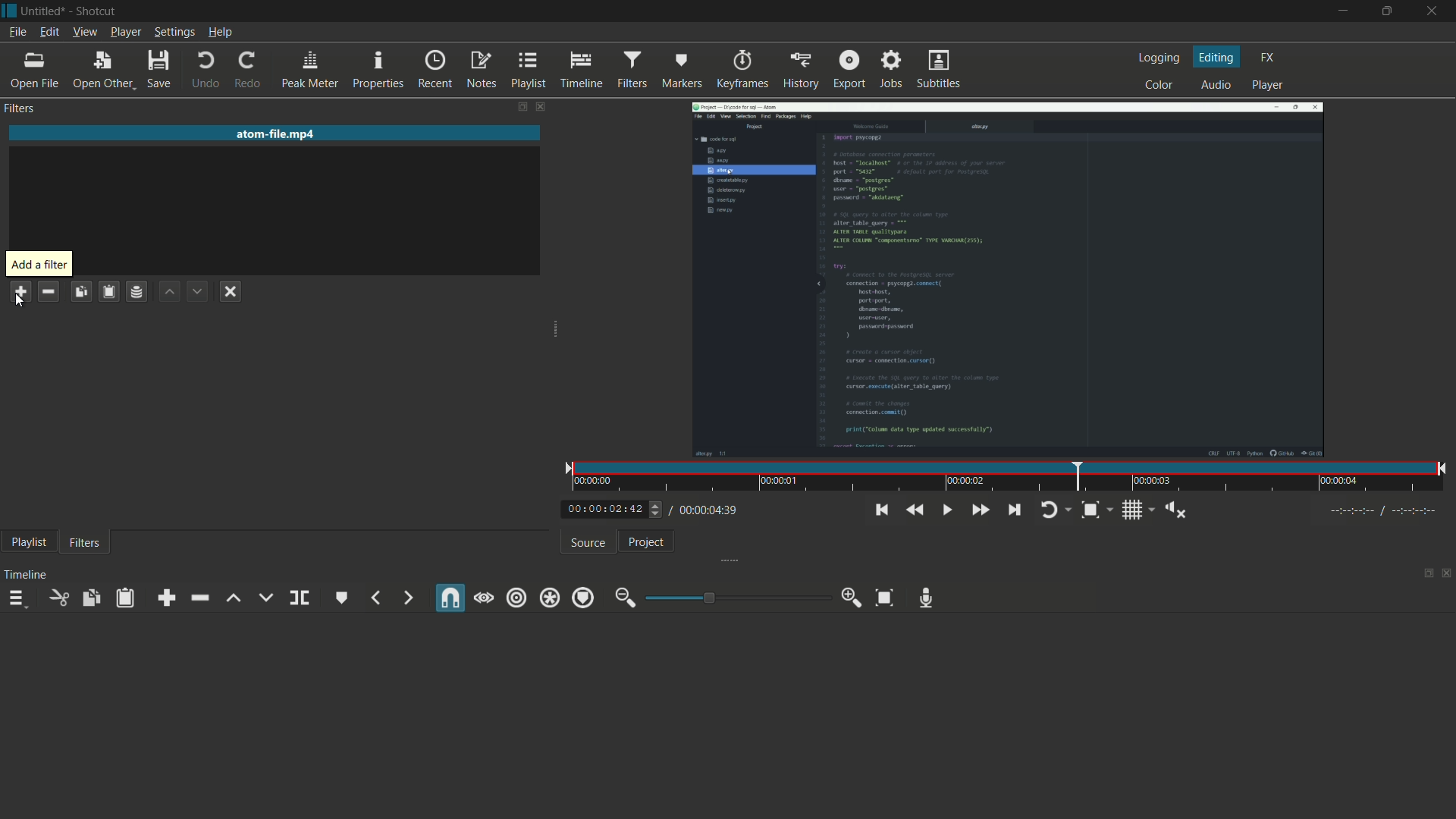  What do you see at coordinates (21, 301) in the screenshot?
I see `cursor` at bounding box center [21, 301].